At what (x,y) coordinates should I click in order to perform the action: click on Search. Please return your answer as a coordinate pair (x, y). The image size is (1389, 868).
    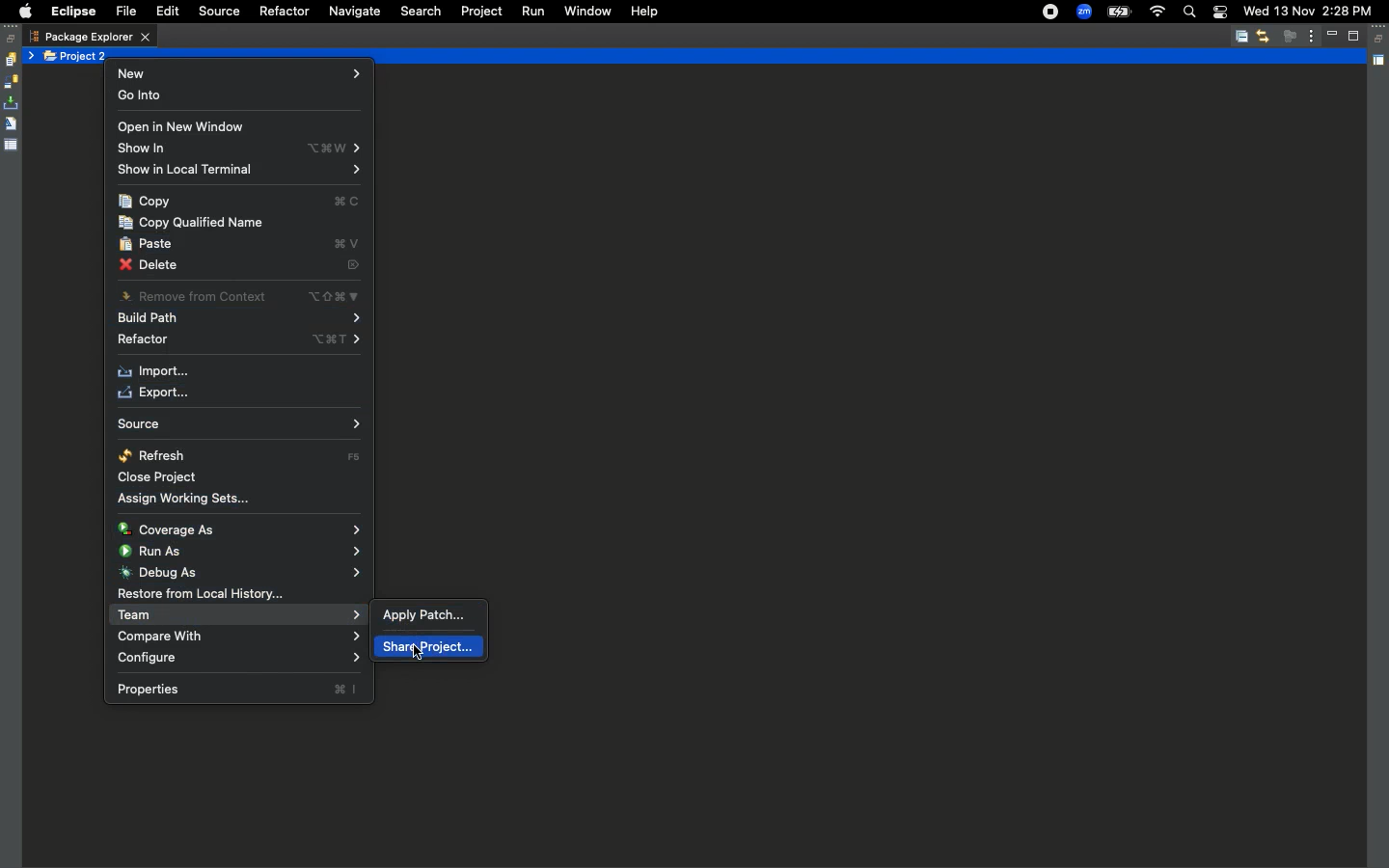
    Looking at the image, I should click on (1188, 14).